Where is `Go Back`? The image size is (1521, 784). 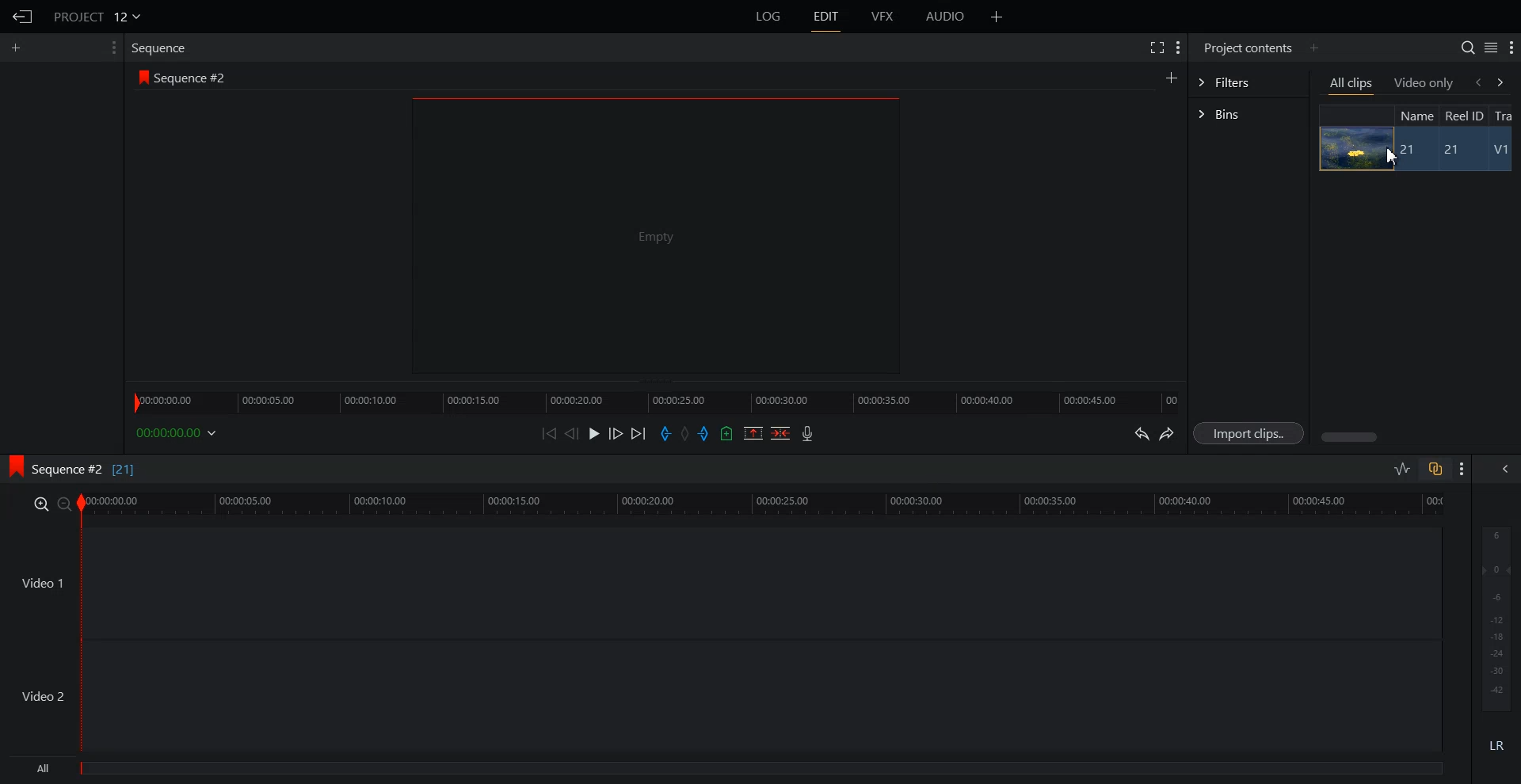 Go Back is located at coordinates (23, 17).